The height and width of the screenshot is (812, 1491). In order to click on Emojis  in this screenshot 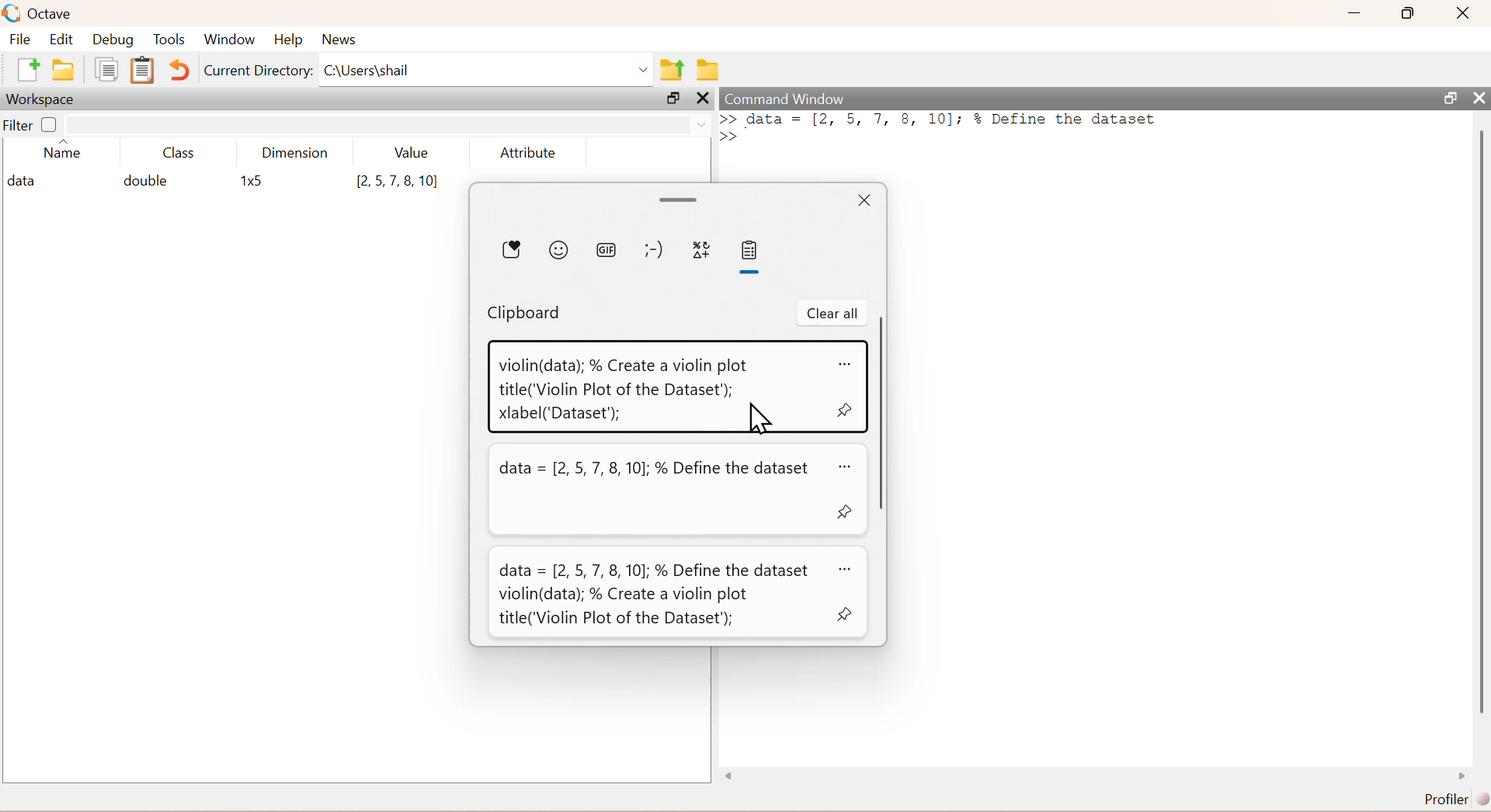, I will do `click(559, 250)`.